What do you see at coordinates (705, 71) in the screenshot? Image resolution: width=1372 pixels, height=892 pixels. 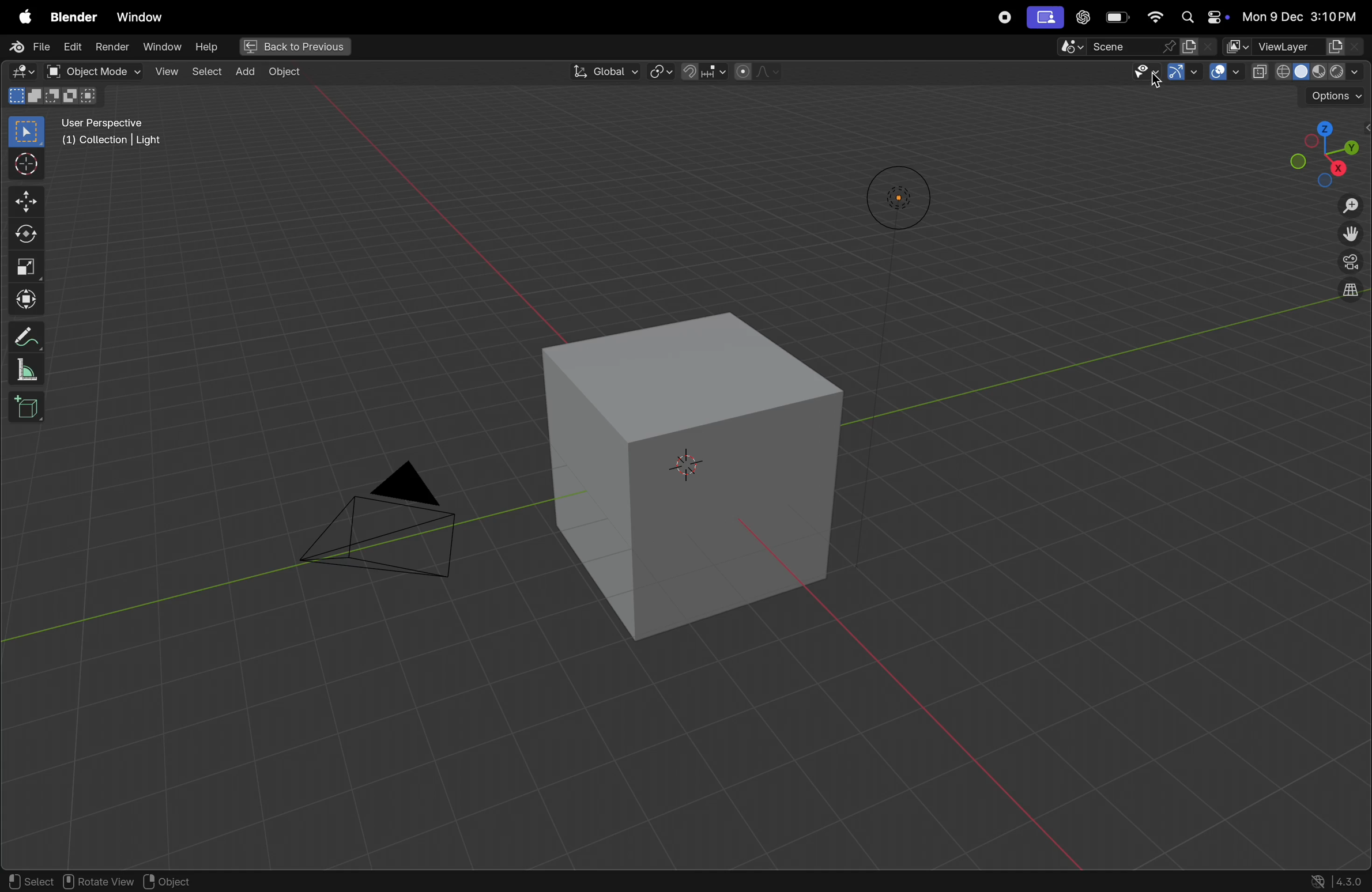 I see `snap` at bounding box center [705, 71].